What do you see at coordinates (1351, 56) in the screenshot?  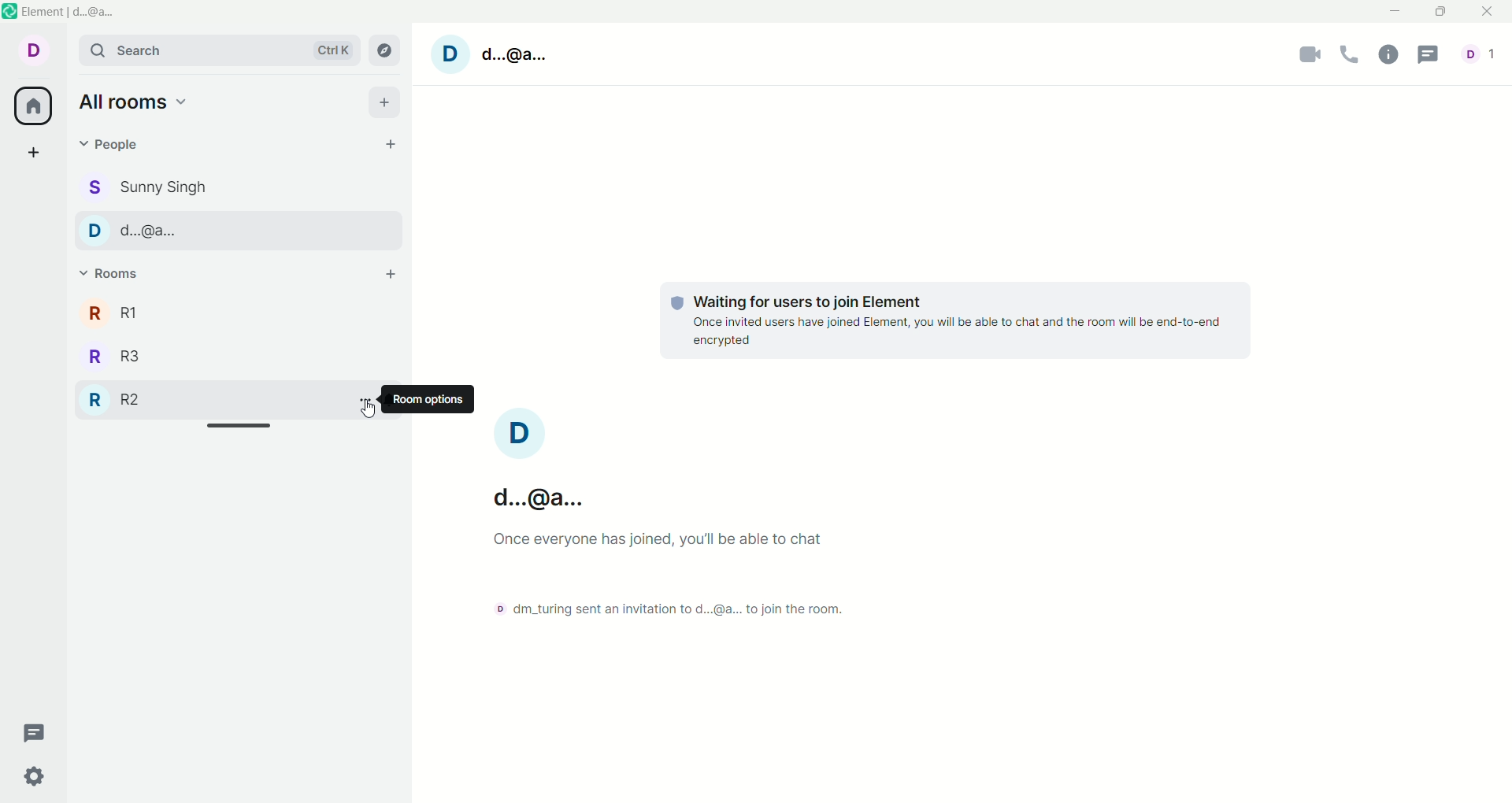 I see `audio call` at bounding box center [1351, 56].